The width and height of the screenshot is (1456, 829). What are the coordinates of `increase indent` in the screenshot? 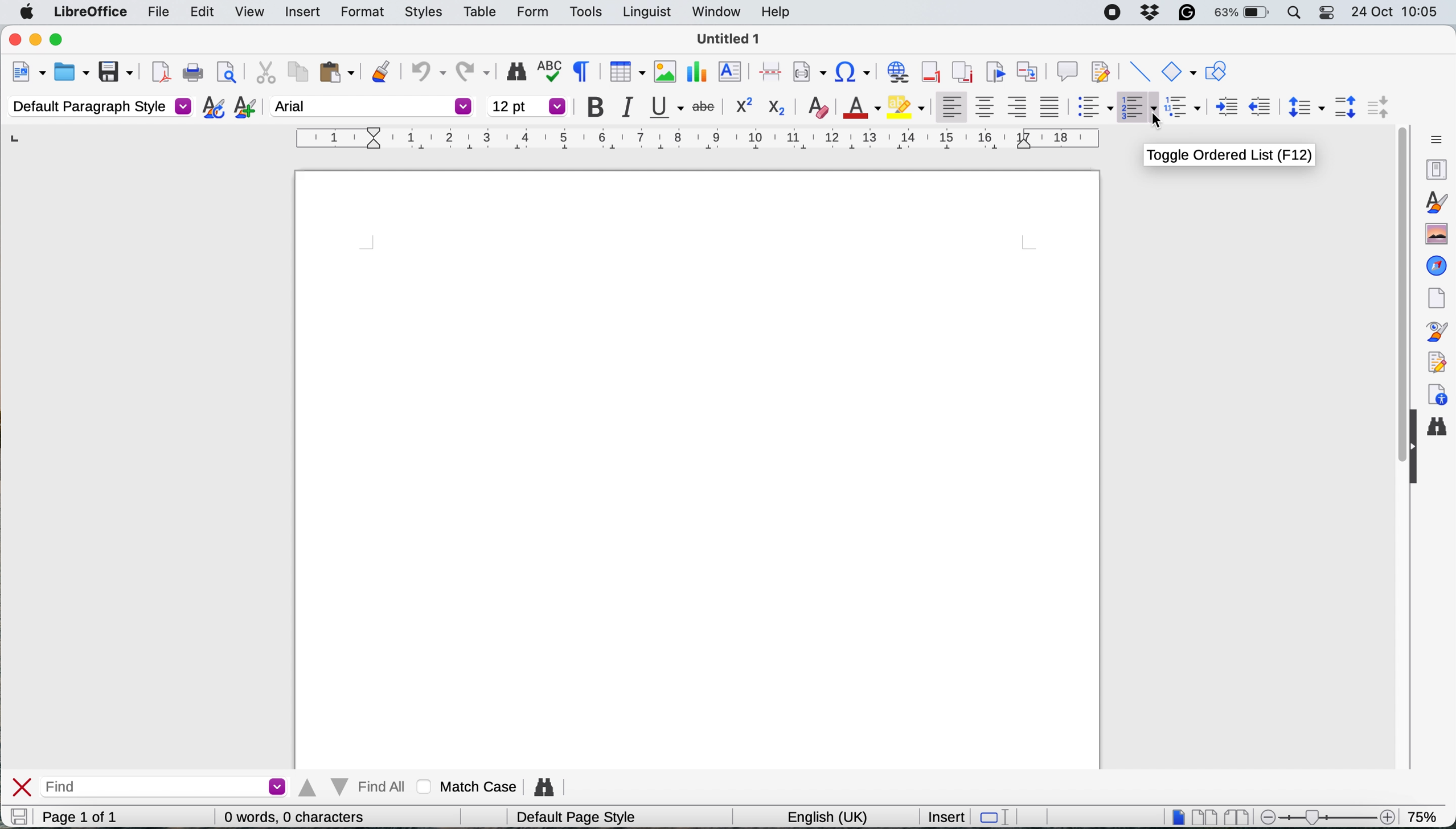 It's located at (1261, 105).